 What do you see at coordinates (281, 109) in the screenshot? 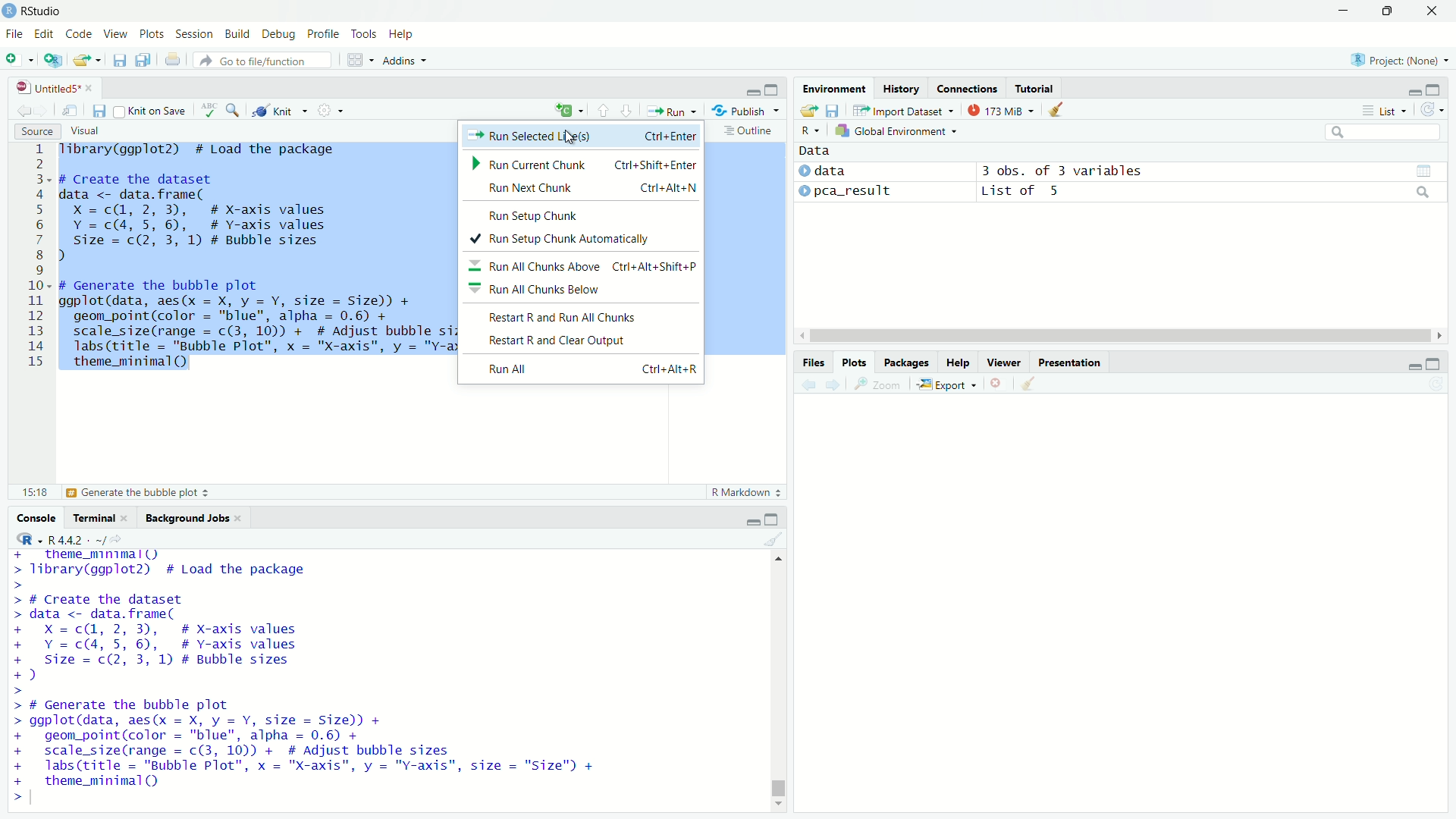
I see `knit` at bounding box center [281, 109].